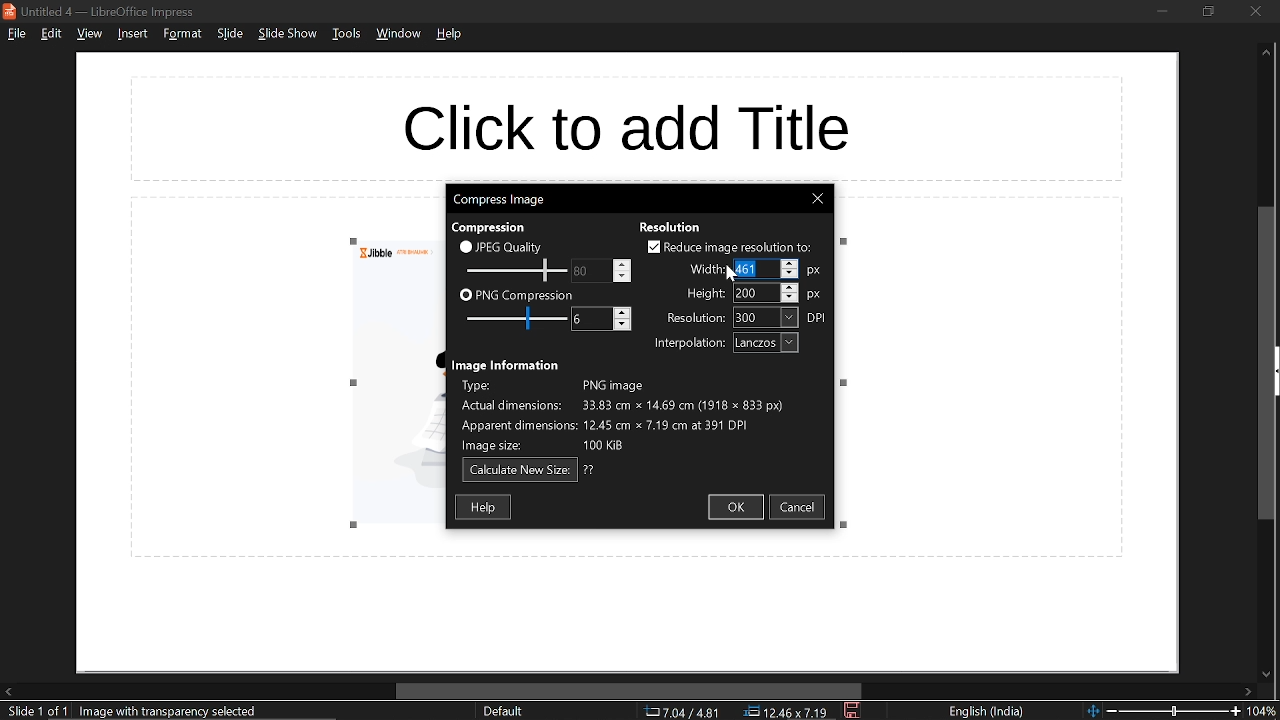  Describe the element at coordinates (729, 274) in the screenshot. I see `Cursor` at that location.